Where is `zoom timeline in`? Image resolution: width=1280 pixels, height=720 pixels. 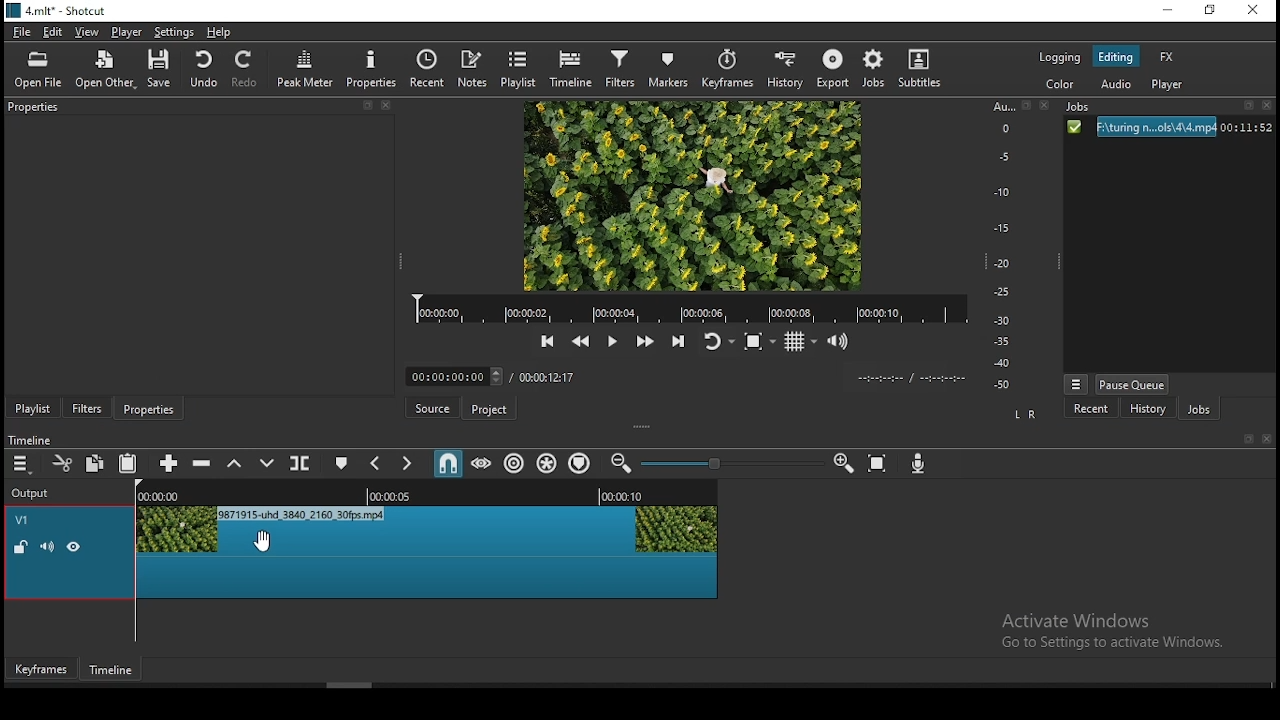
zoom timeline in is located at coordinates (843, 458).